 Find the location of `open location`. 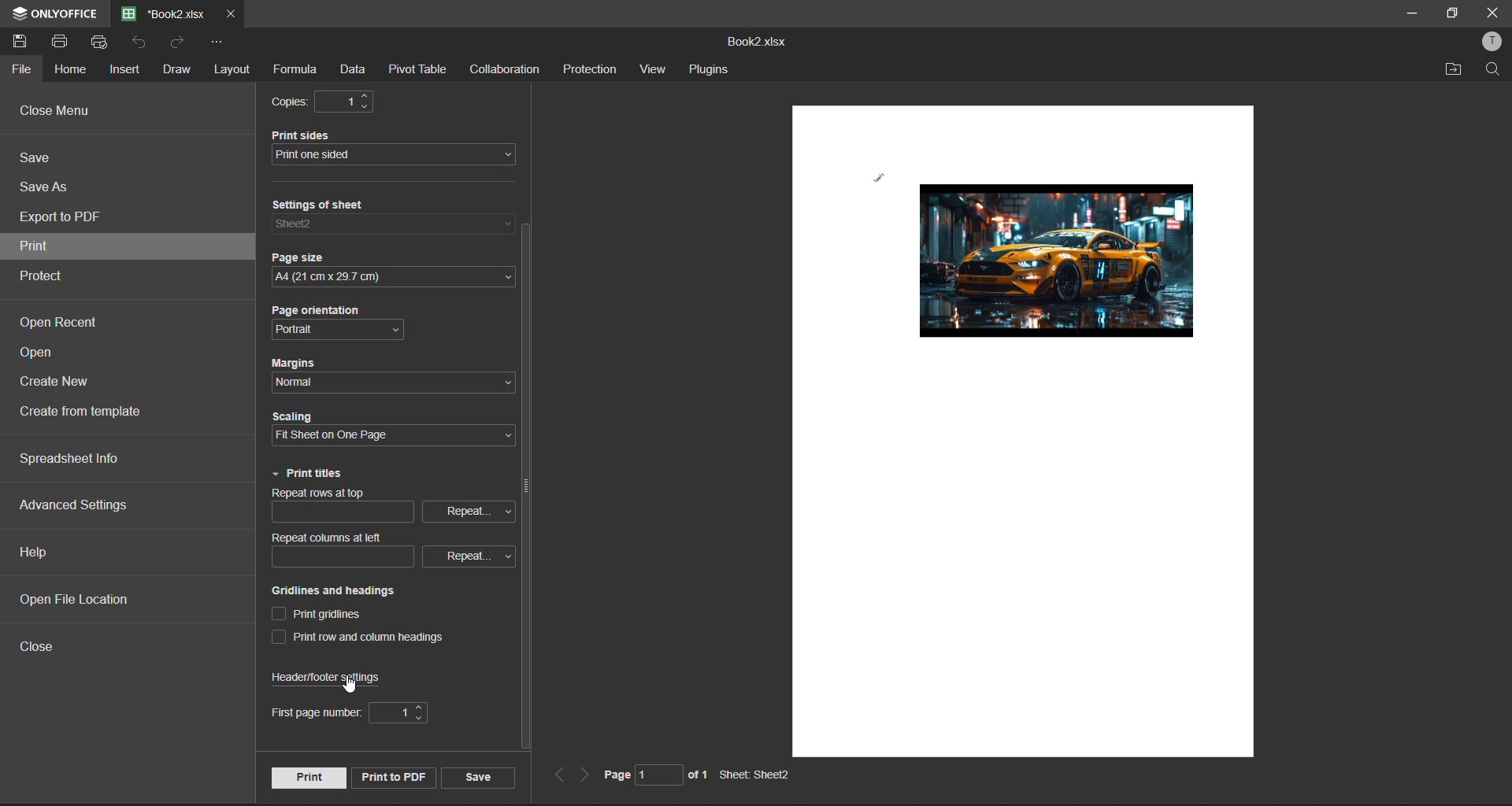

open location is located at coordinates (1455, 69).